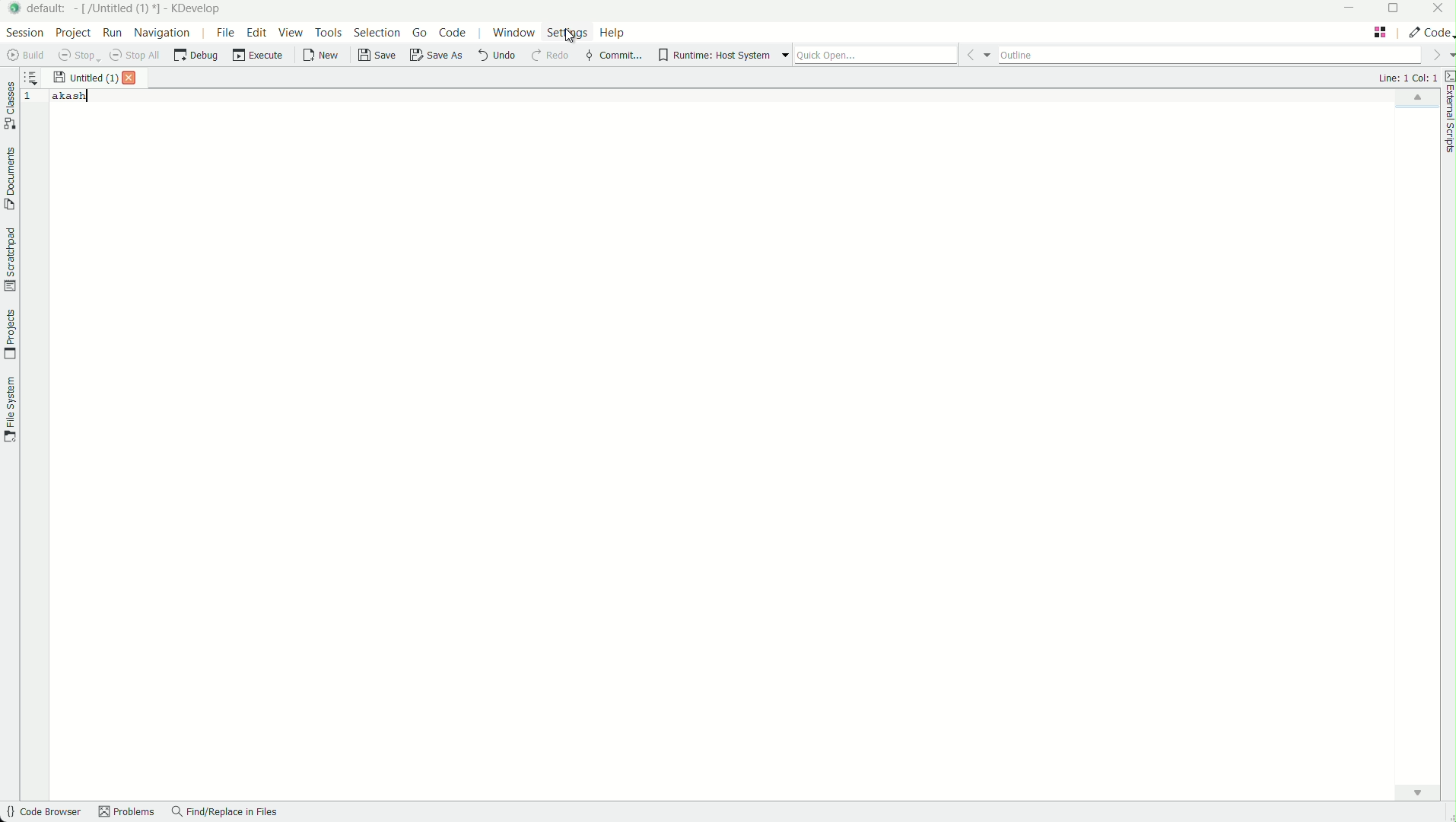 Image resolution: width=1456 pixels, height=822 pixels. What do you see at coordinates (377, 33) in the screenshot?
I see `selection menu` at bounding box center [377, 33].